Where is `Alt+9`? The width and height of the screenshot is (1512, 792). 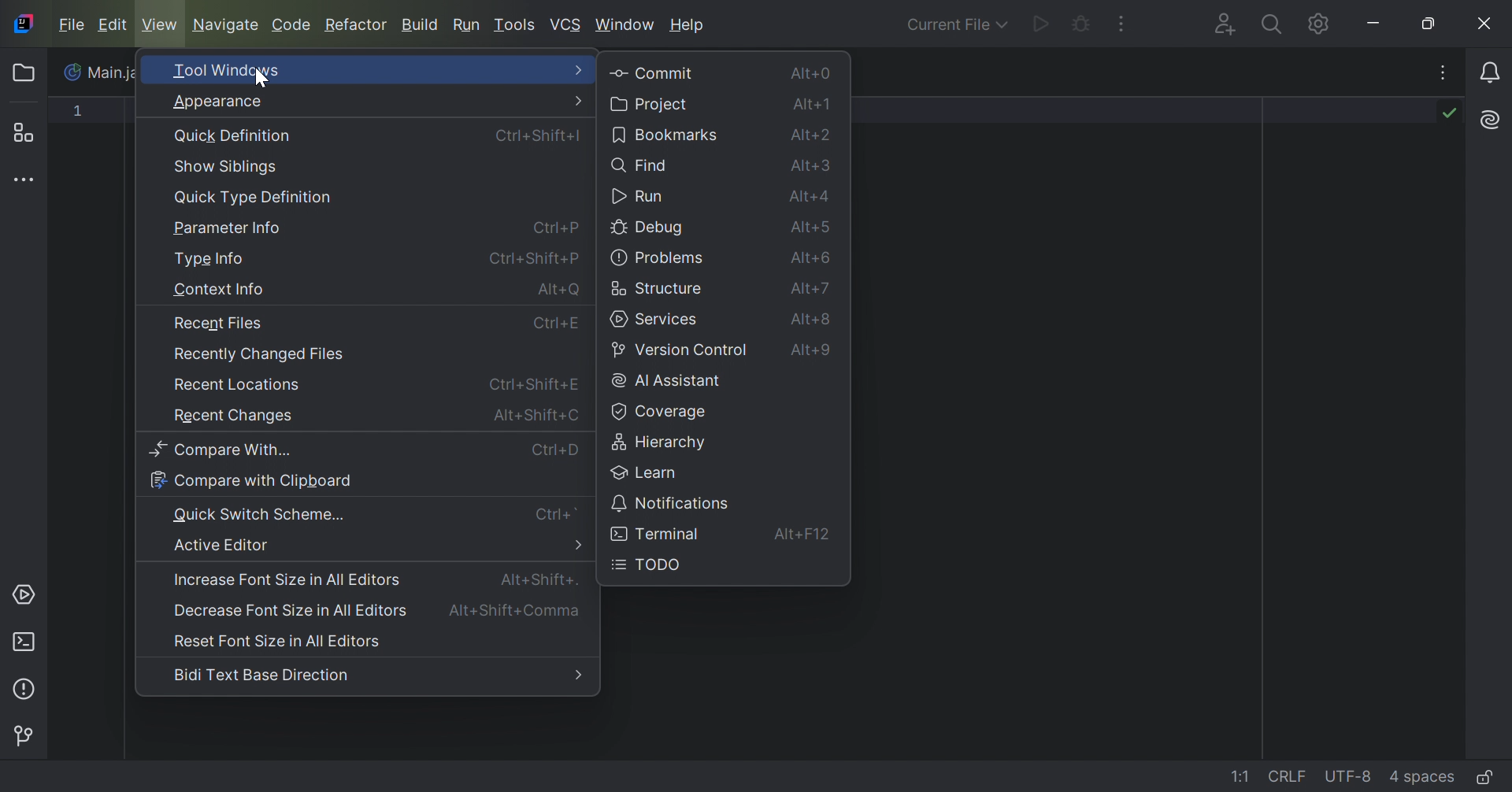 Alt+9 is located at coordinates (815, 353).